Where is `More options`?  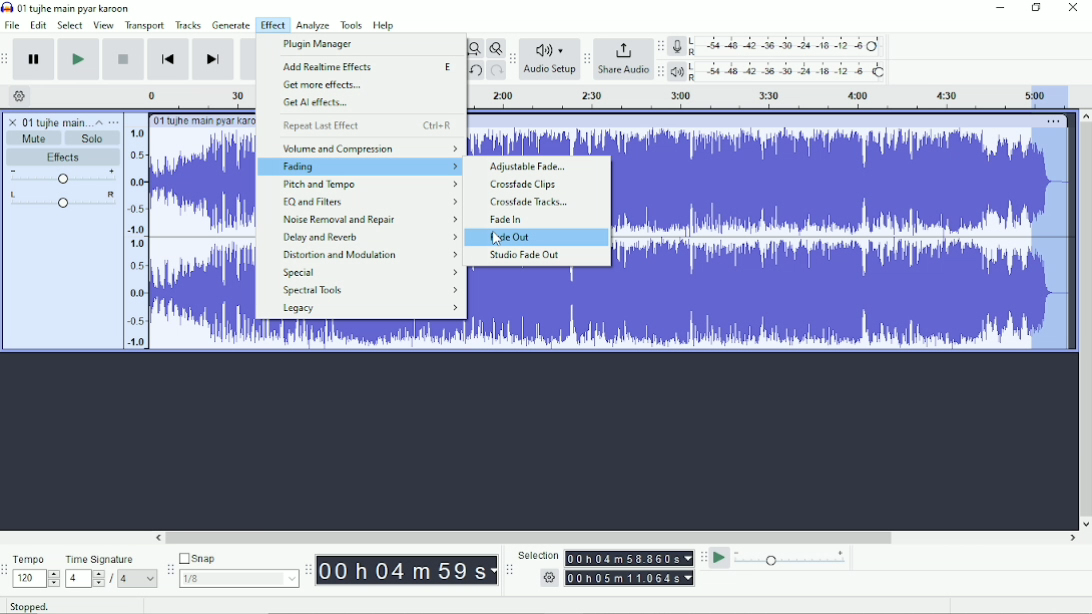
More options is located at coordinates (1054, 121).